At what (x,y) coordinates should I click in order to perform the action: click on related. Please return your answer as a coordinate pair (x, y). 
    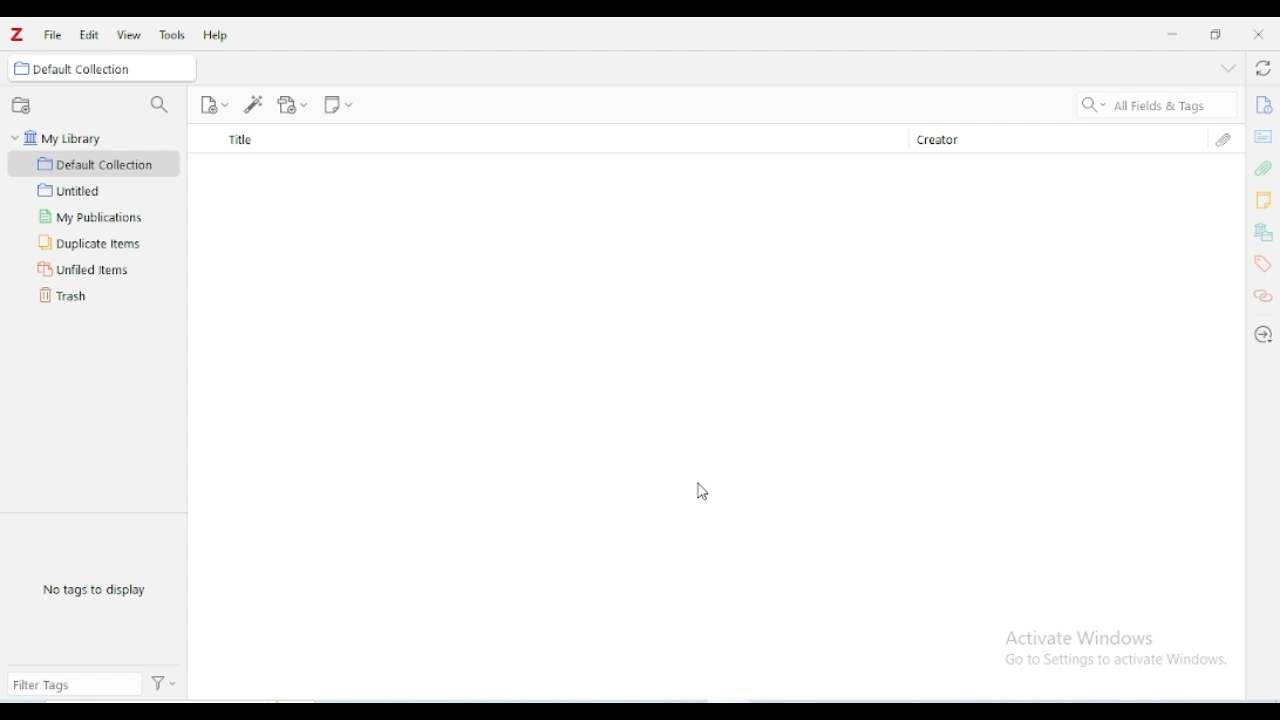
    Looking at the image, I should click on (1263, 296).